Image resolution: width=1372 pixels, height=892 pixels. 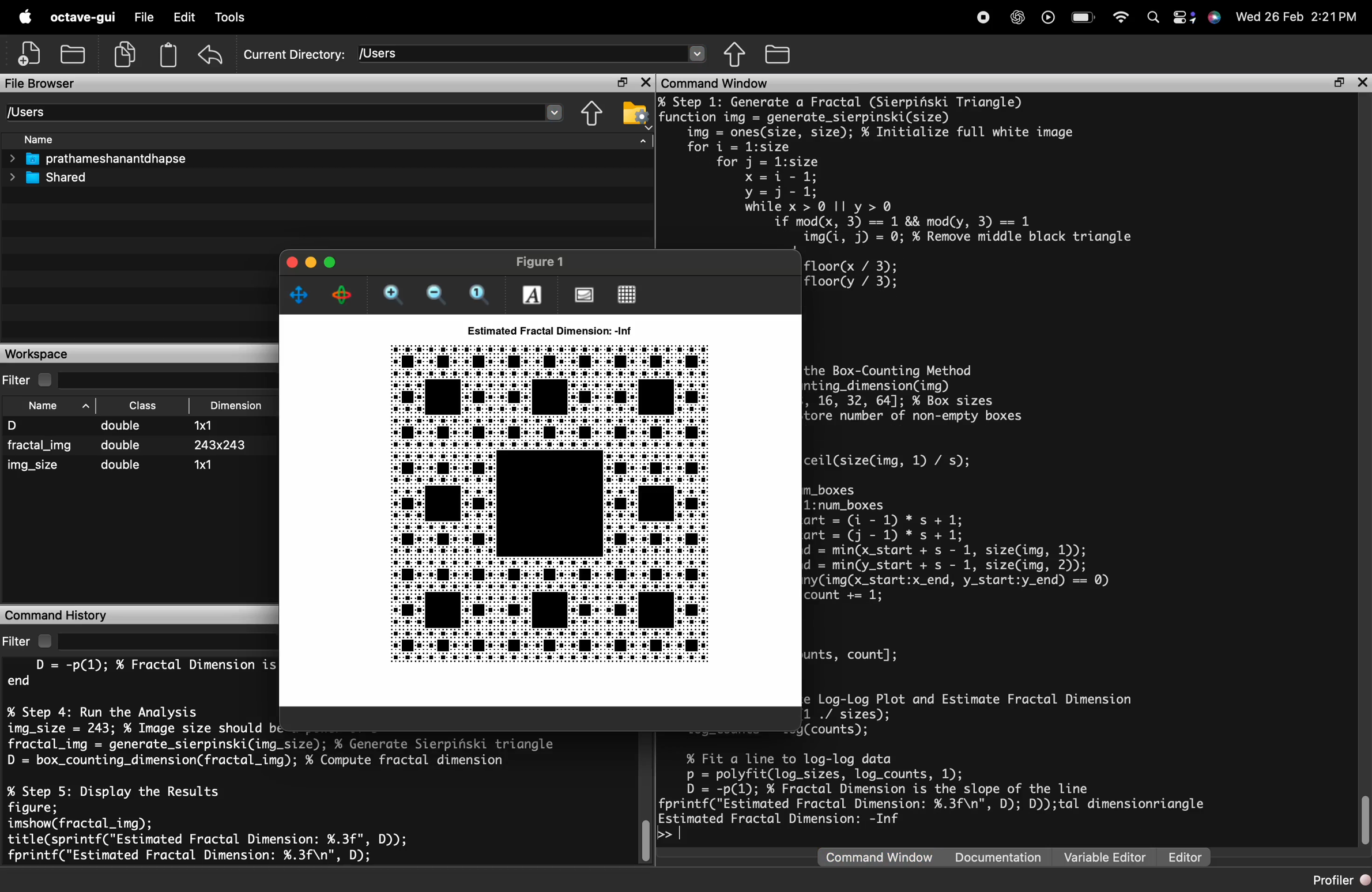 What do you see at coordinates (531, 293) in the screenshot?
I see `text` at bounding box center [531, 293].